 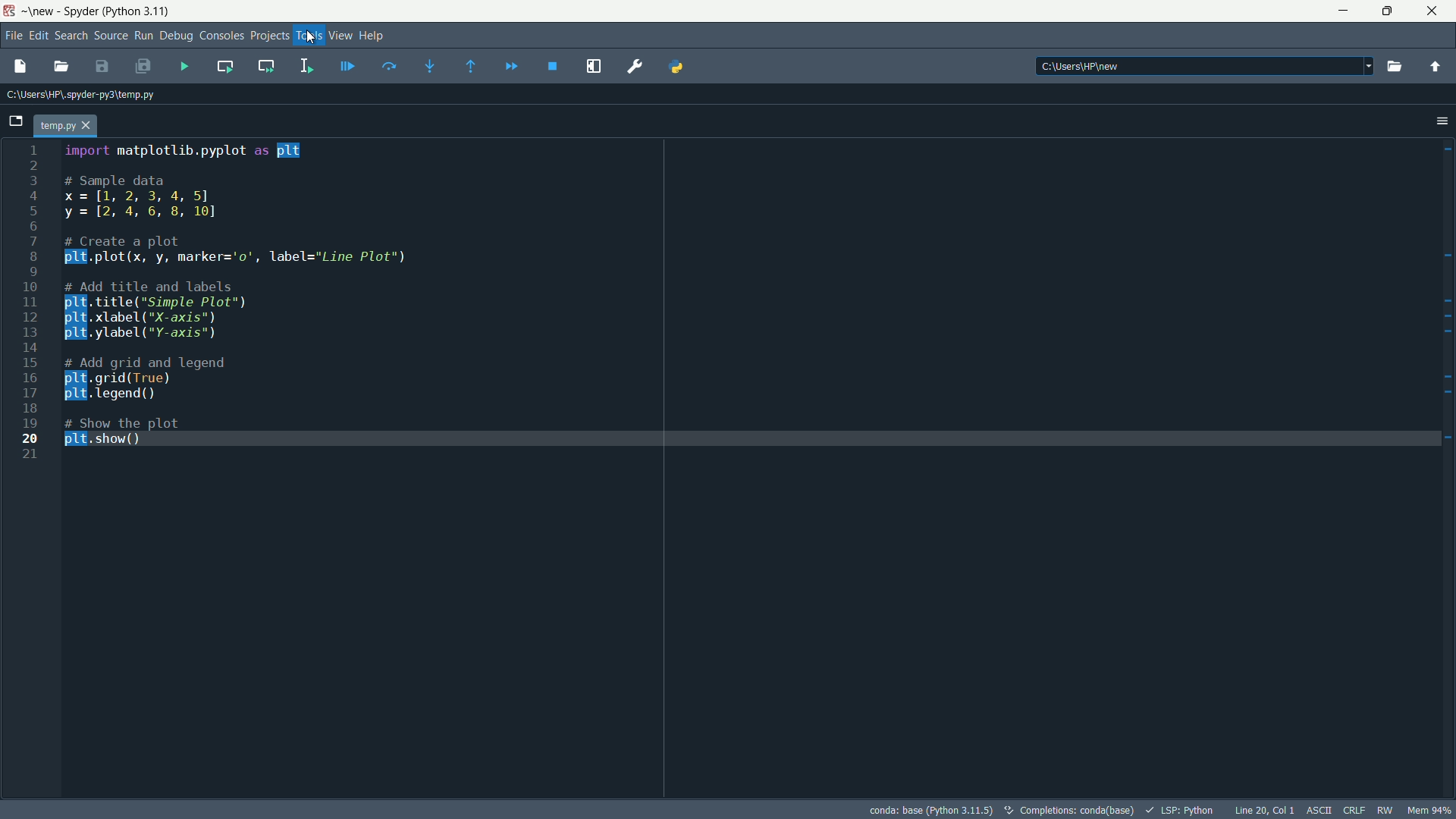 What do you see at coordinates (431, 66) in the screenshot?
I see `step into function` at bounding box center [431, 66].